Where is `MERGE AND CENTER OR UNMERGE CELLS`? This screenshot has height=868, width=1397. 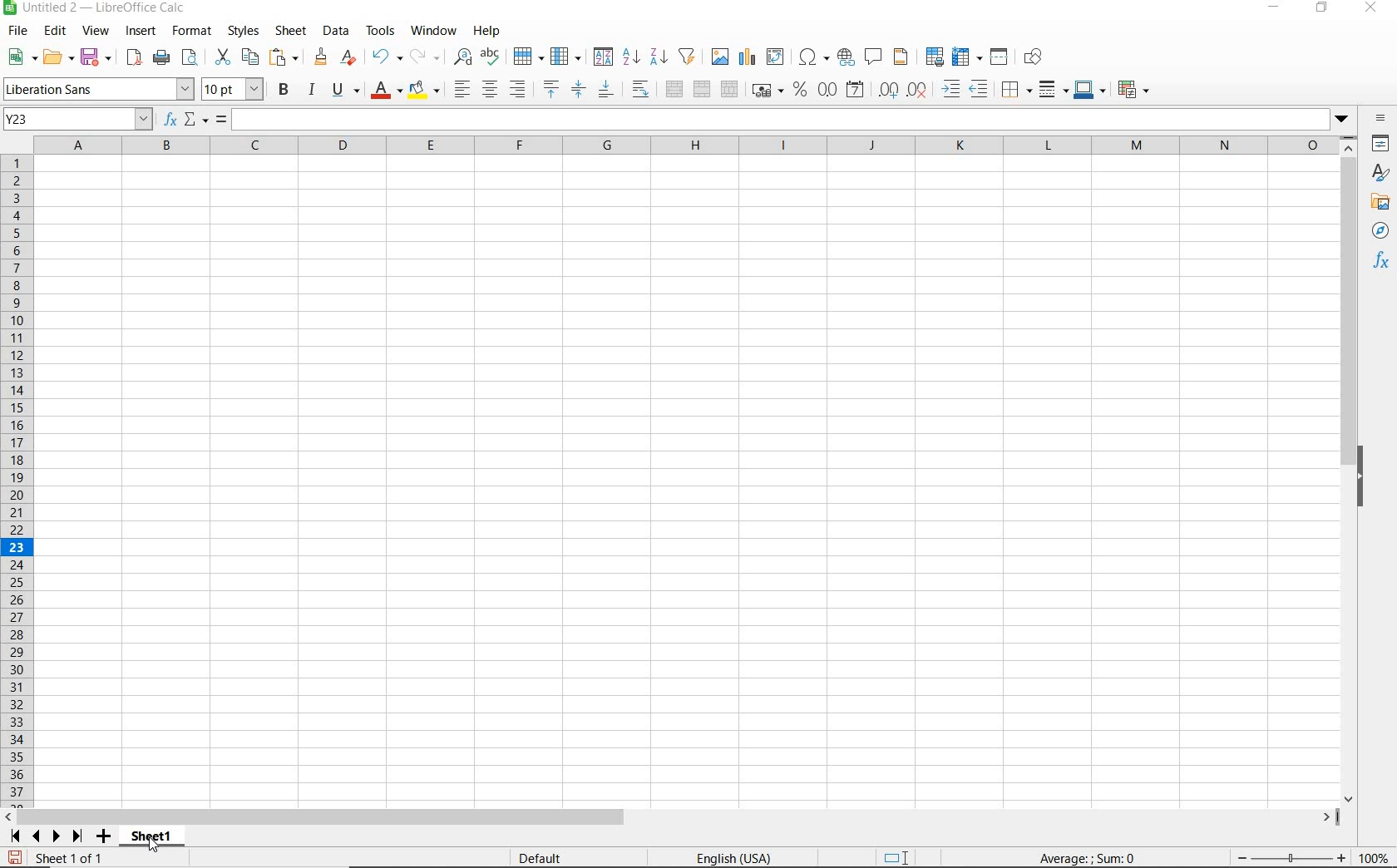
MERGE AND CENTER OR UNMERGE CELLS is located at coordinates (674, 89).